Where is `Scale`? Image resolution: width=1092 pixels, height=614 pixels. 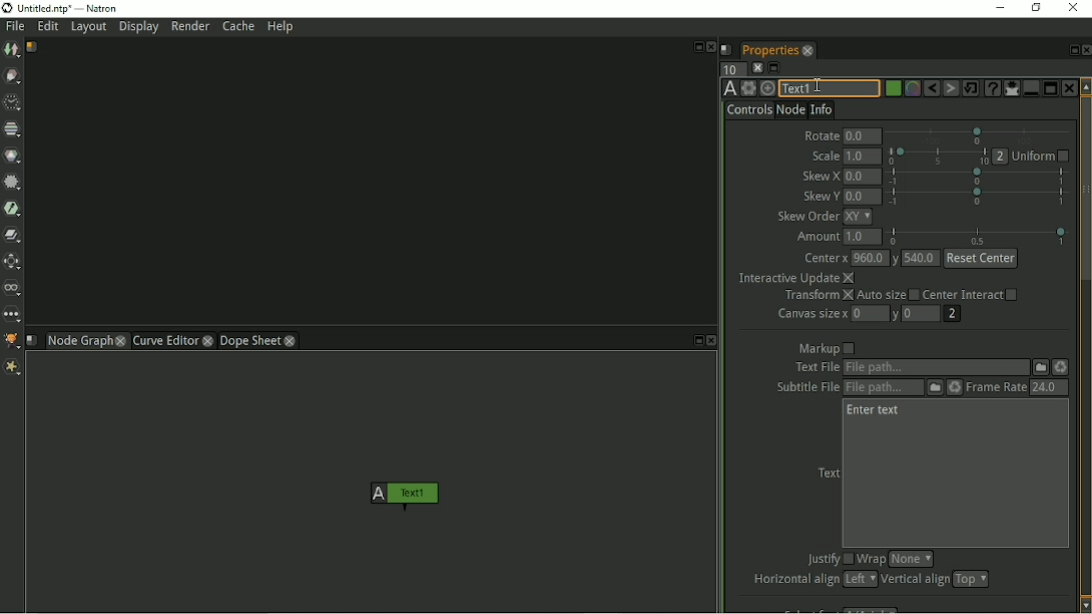 Scale is located at coordinates (823, 156).